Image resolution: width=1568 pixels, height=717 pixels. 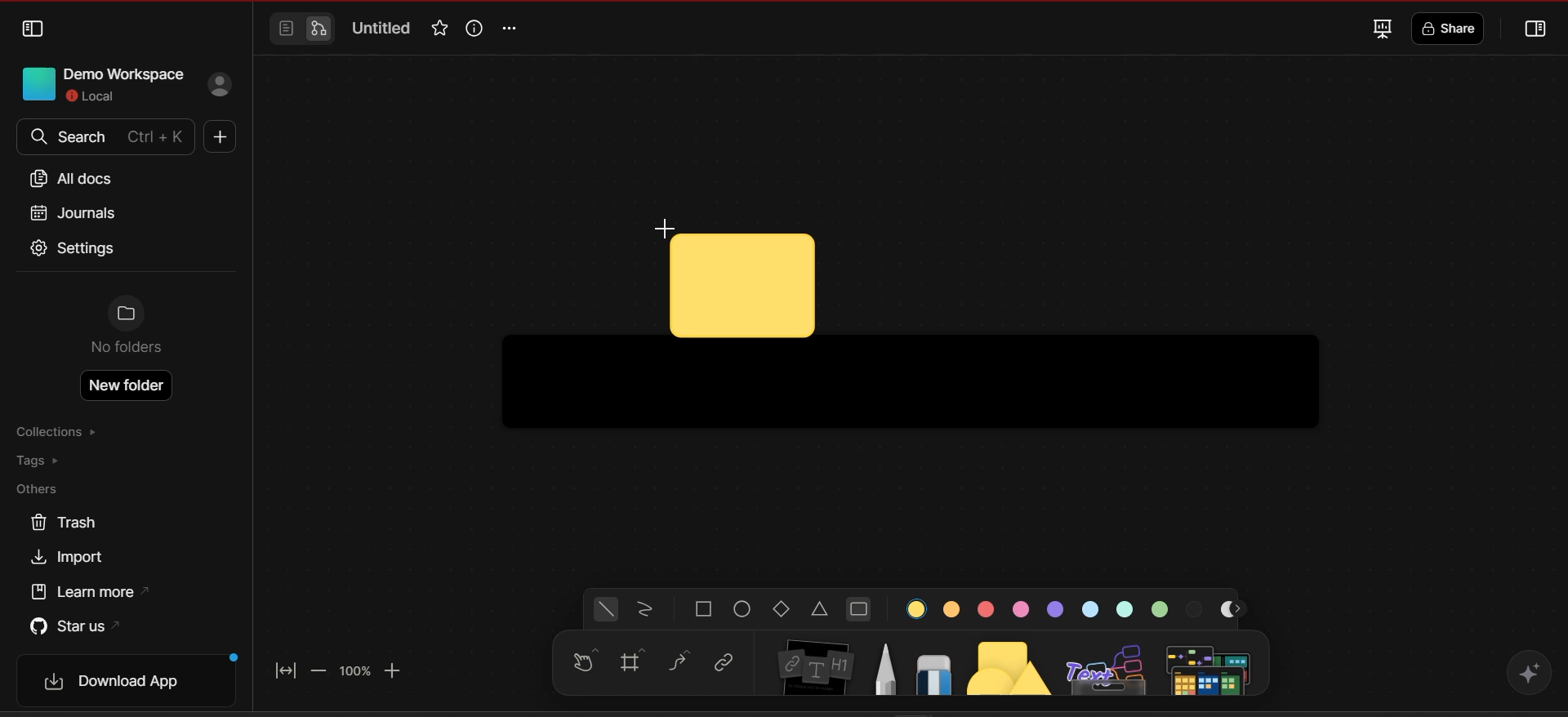 I want to click on ellipse, so click(x=744, y=609).